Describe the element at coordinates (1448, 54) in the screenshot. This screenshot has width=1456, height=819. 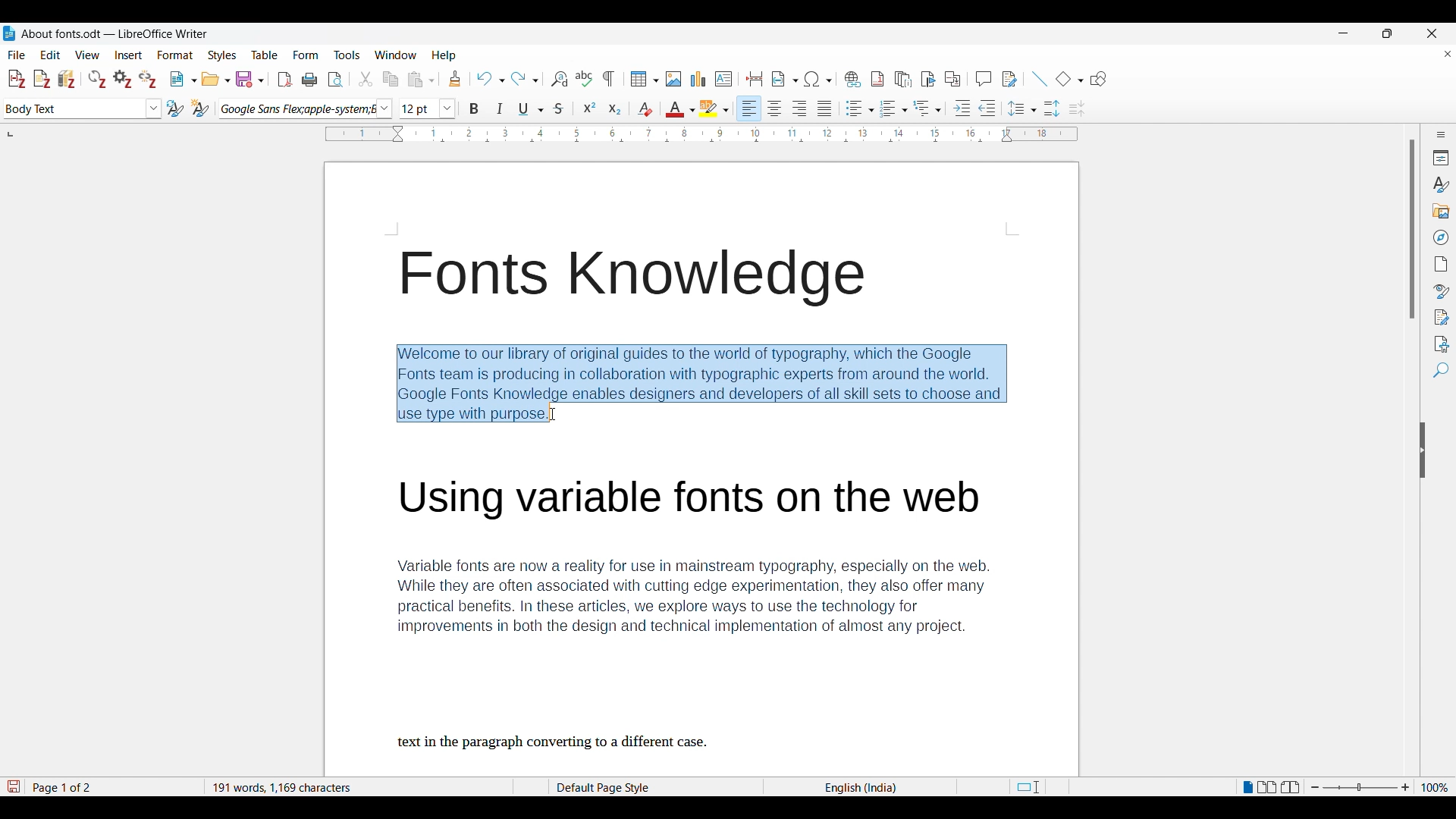
I see `Close document` at that location.